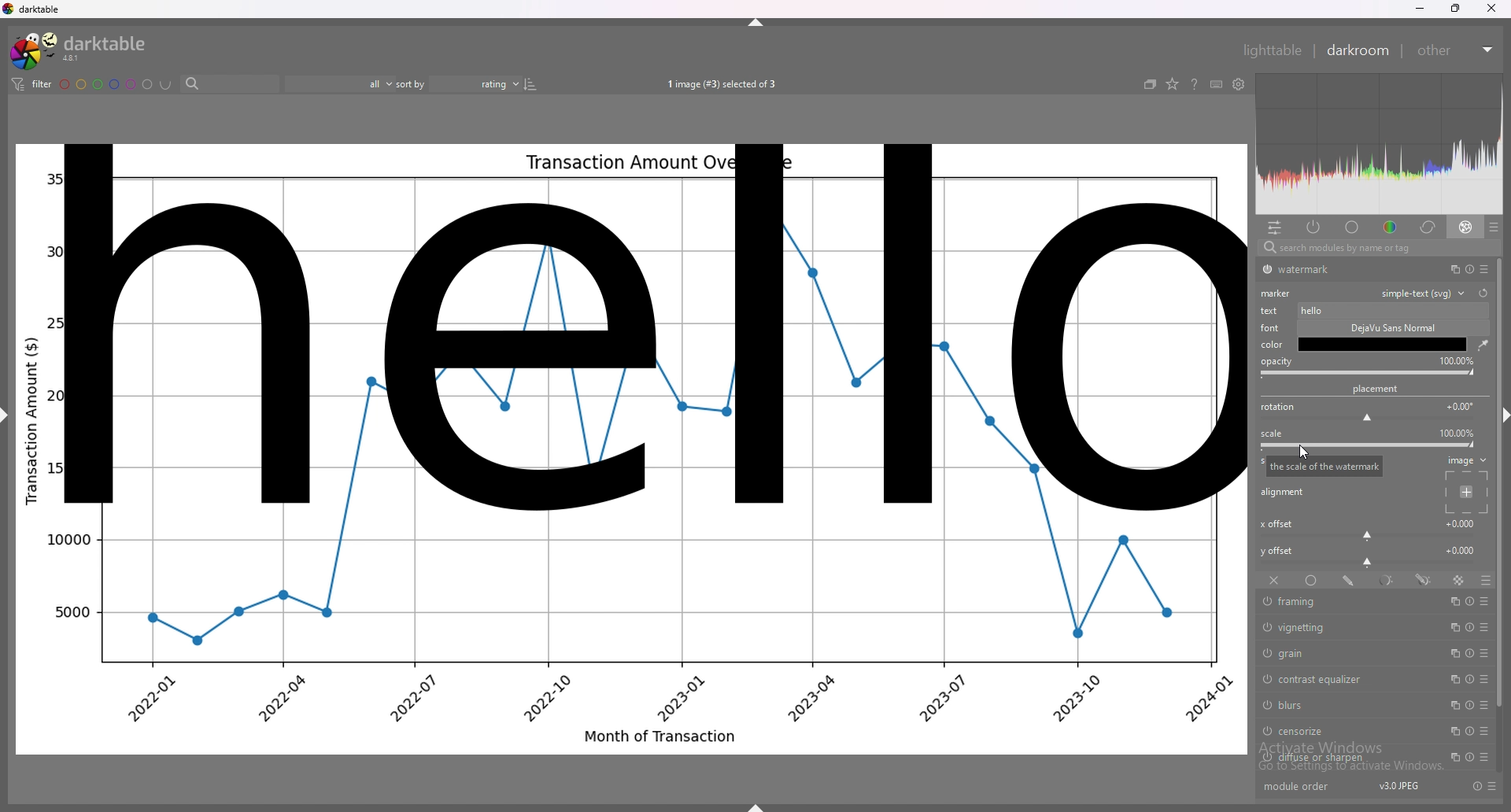  I want to click on hide, so click(1502, 418).